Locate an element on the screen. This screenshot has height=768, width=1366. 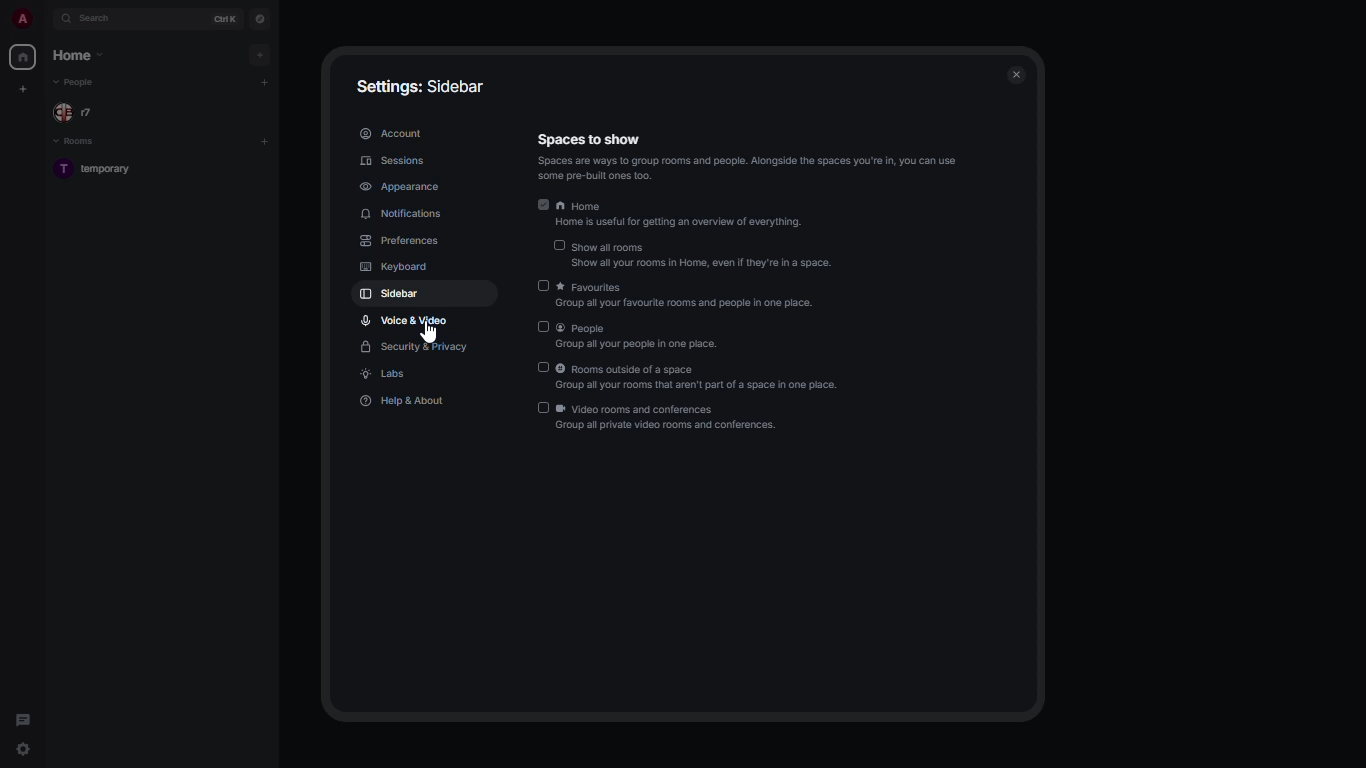
voice & video is located at coordinates (408, 321).